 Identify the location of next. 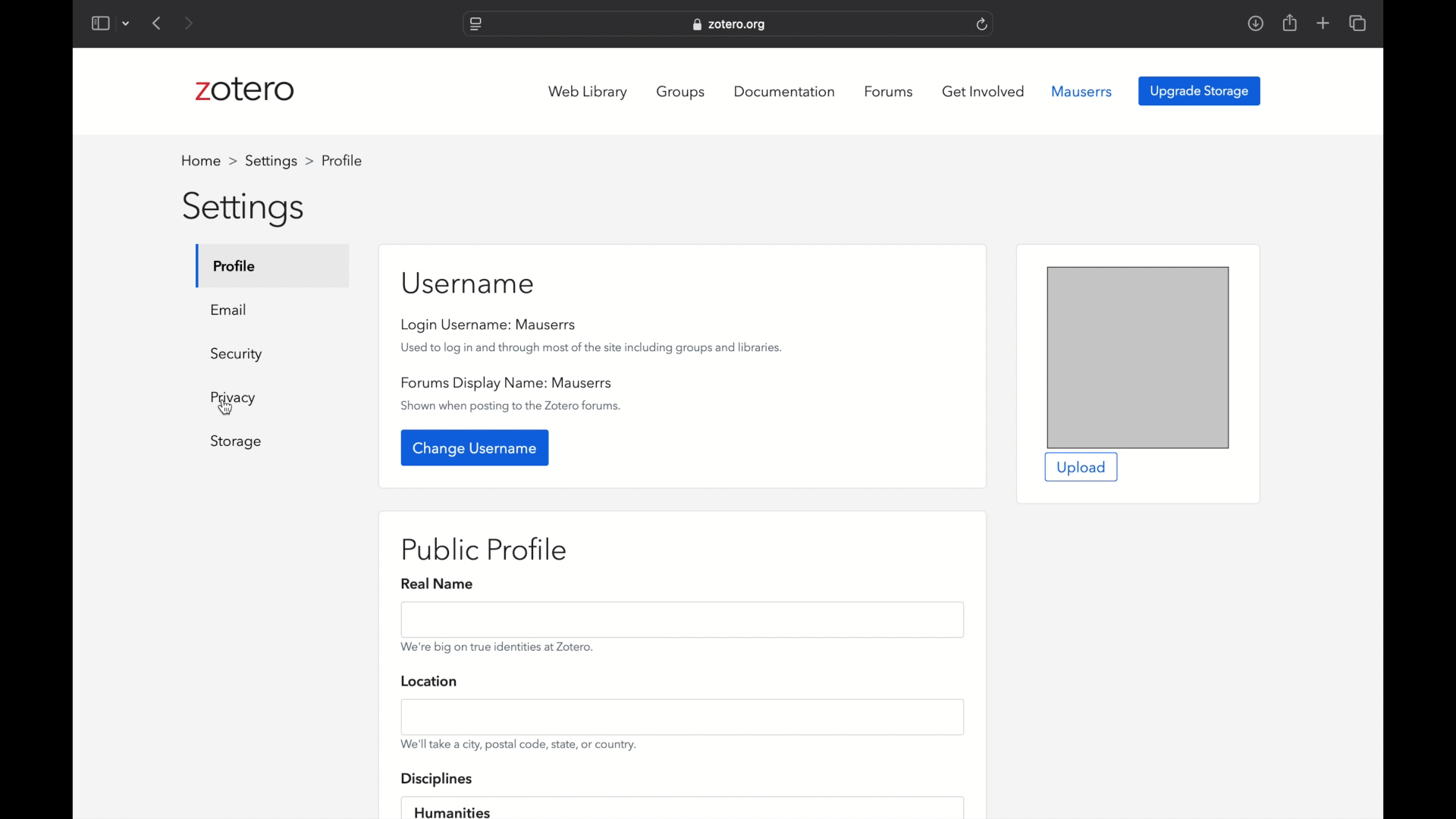
(190, 23).